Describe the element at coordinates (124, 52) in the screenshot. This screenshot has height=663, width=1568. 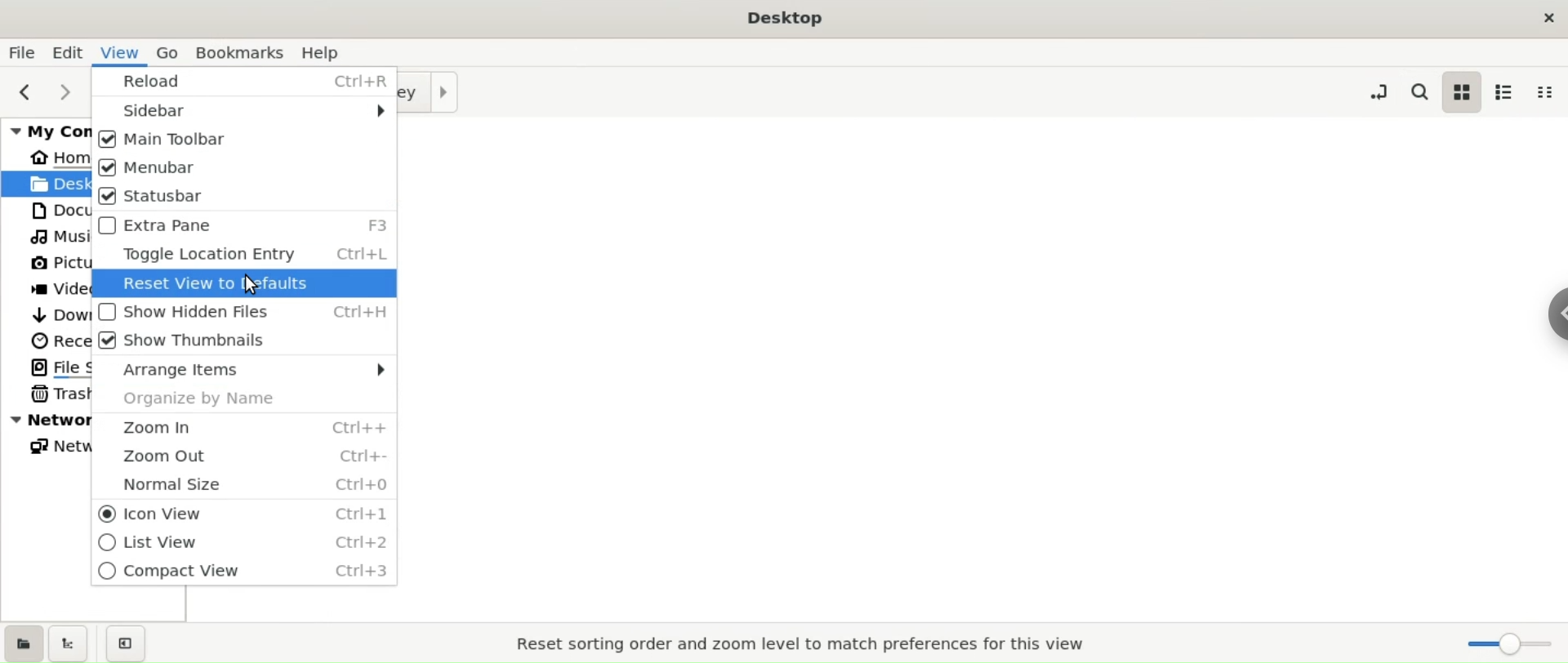
I see `view` at that location.